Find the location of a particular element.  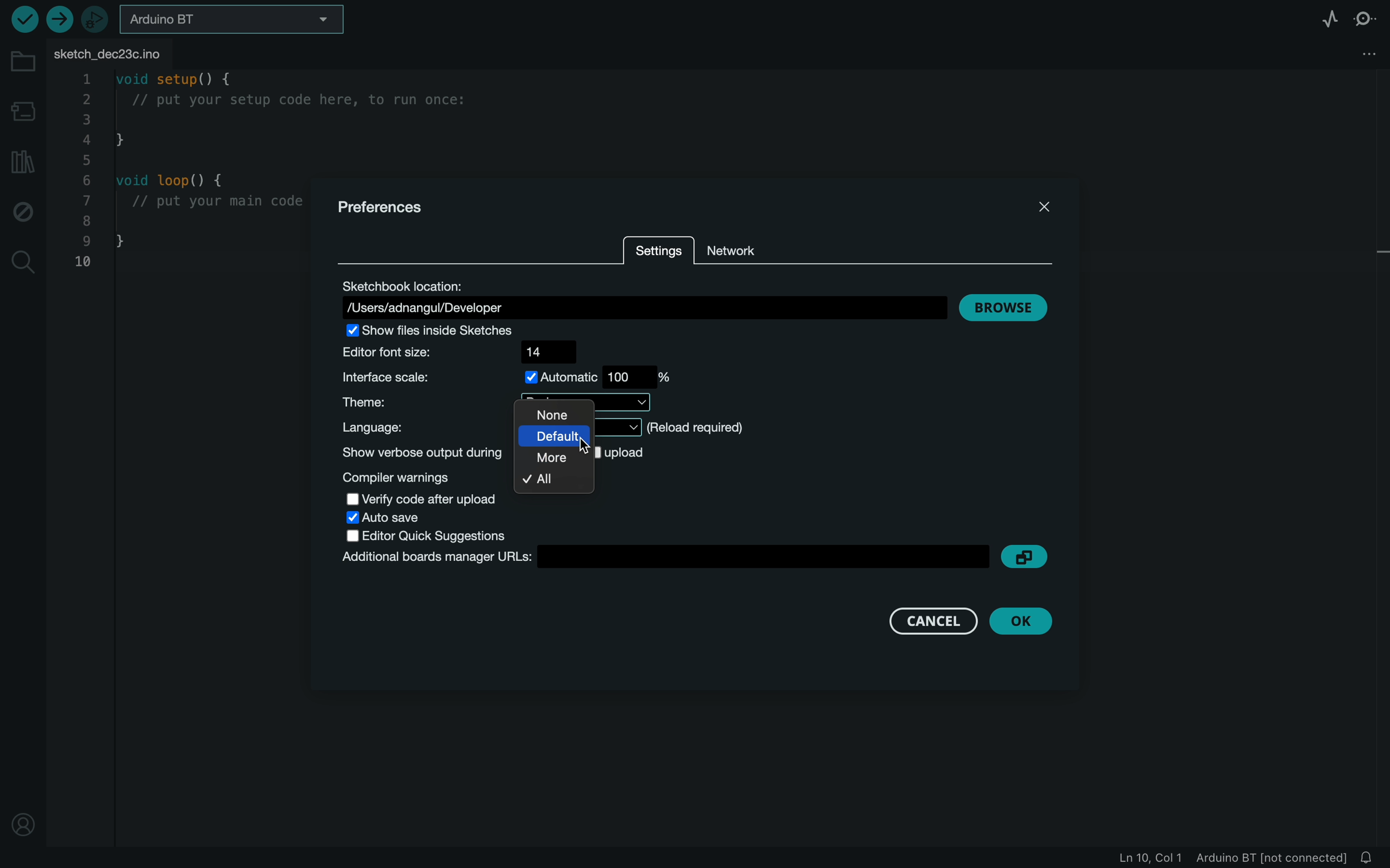

browse is located at coordinates (1007, 308).